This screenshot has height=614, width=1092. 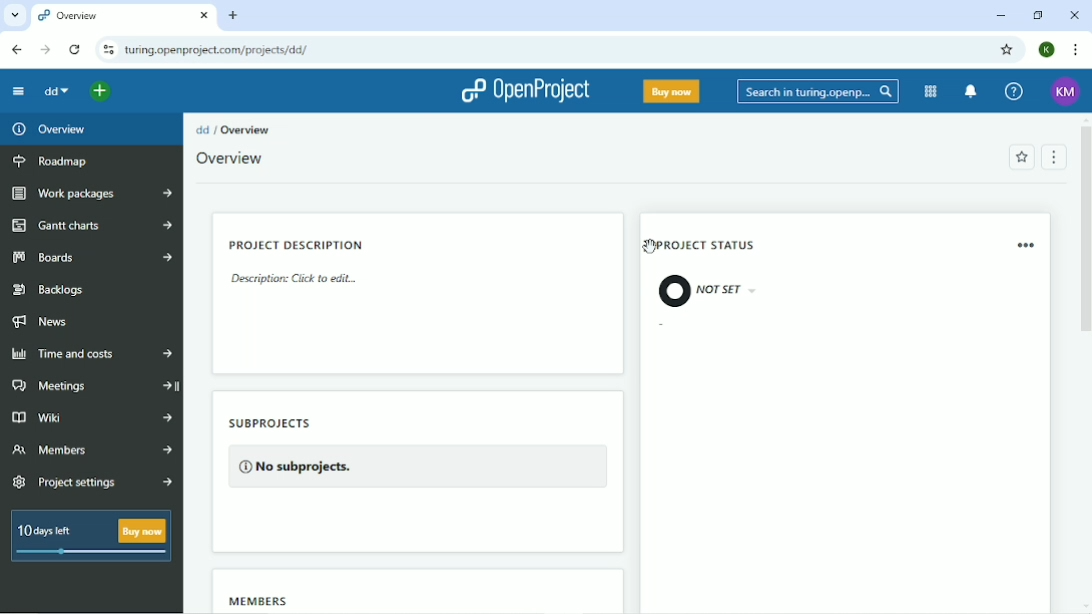 I want to click on dd, so click(x=203, y=130).